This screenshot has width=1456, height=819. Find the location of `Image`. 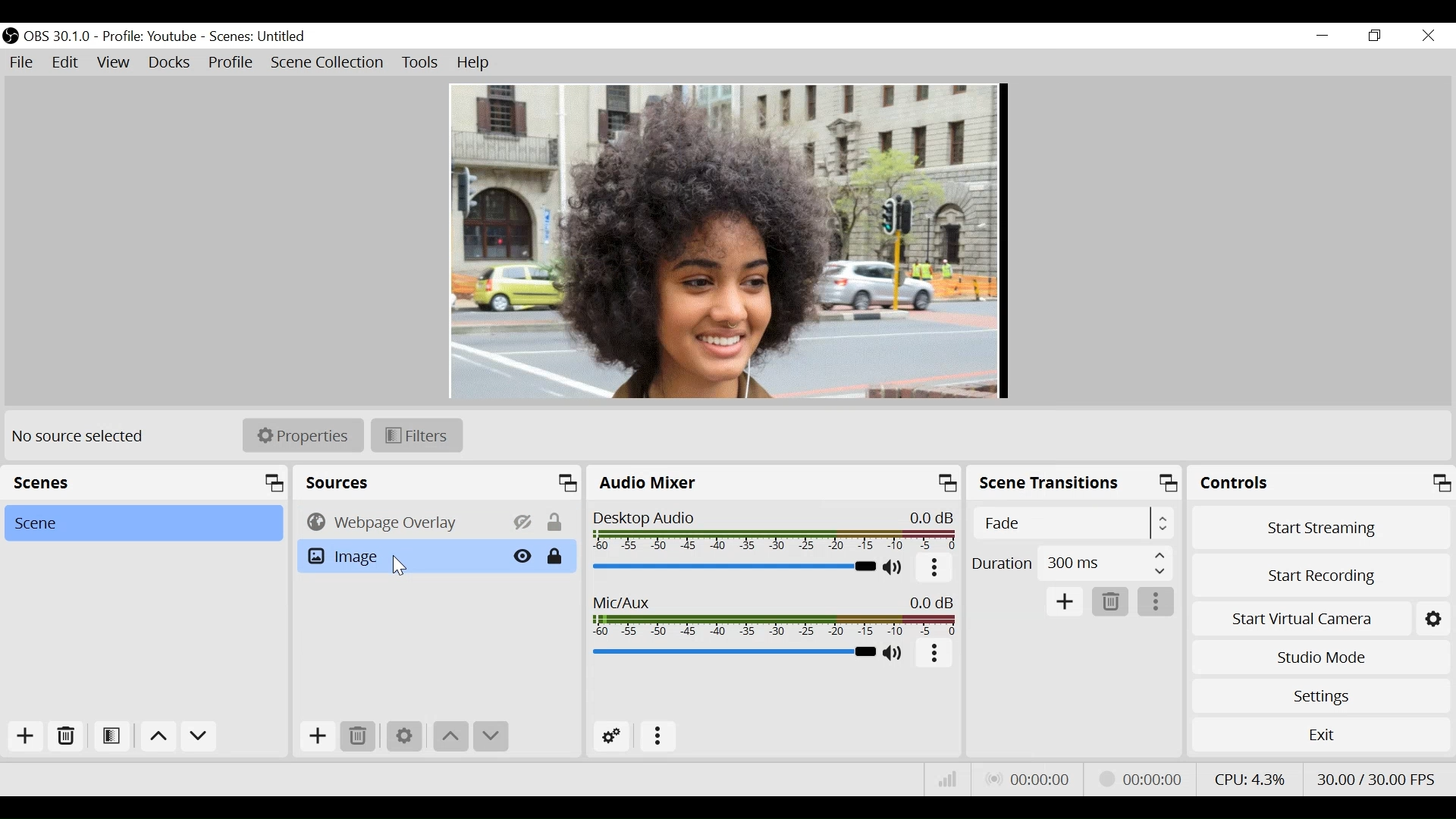

Image is located at coordinates (398, 556).